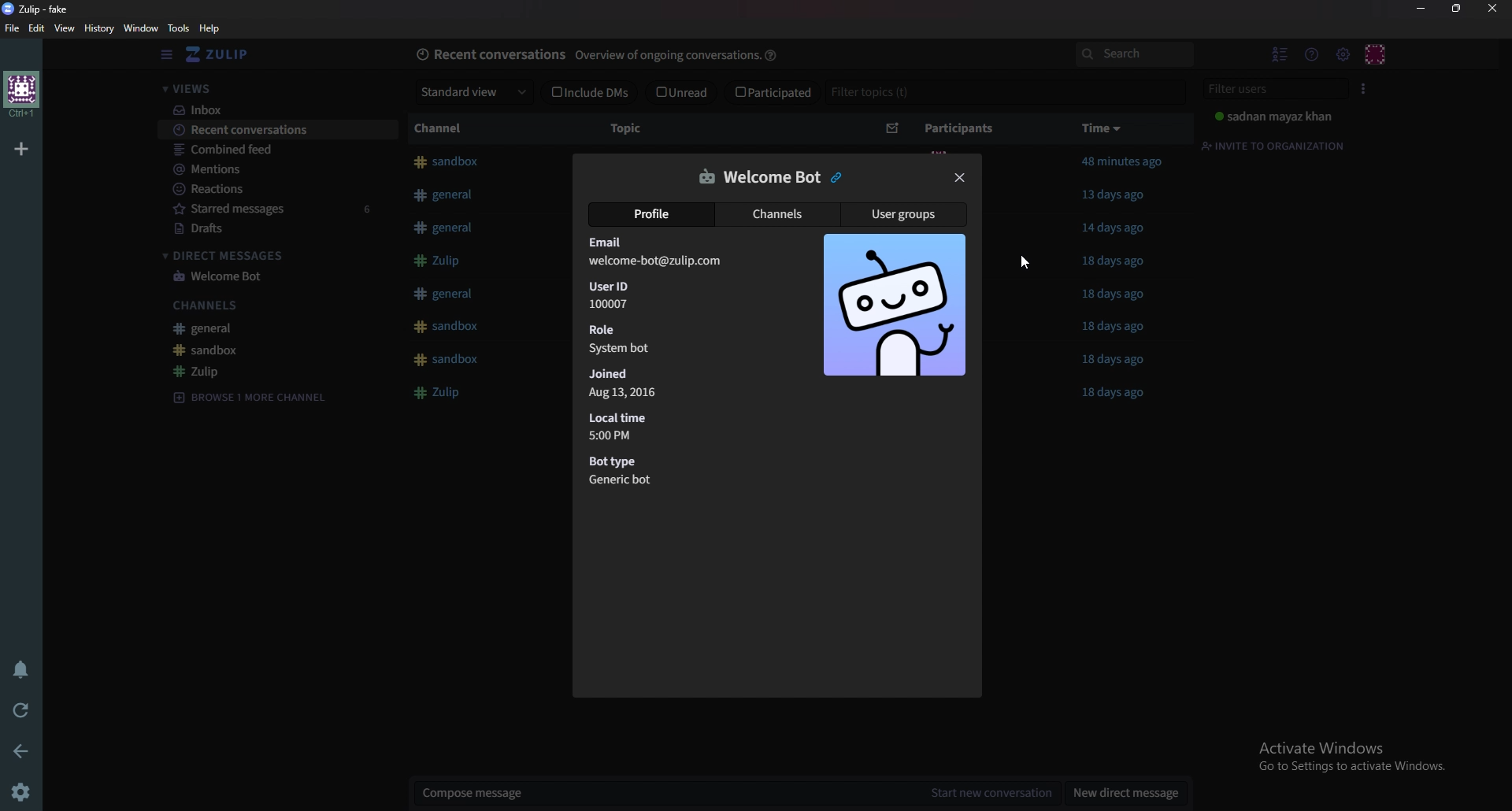 The image size is (1512, 811). Describe the element at coordinates (1421, 9) in the screenshot. I see `Minimize` at that location.